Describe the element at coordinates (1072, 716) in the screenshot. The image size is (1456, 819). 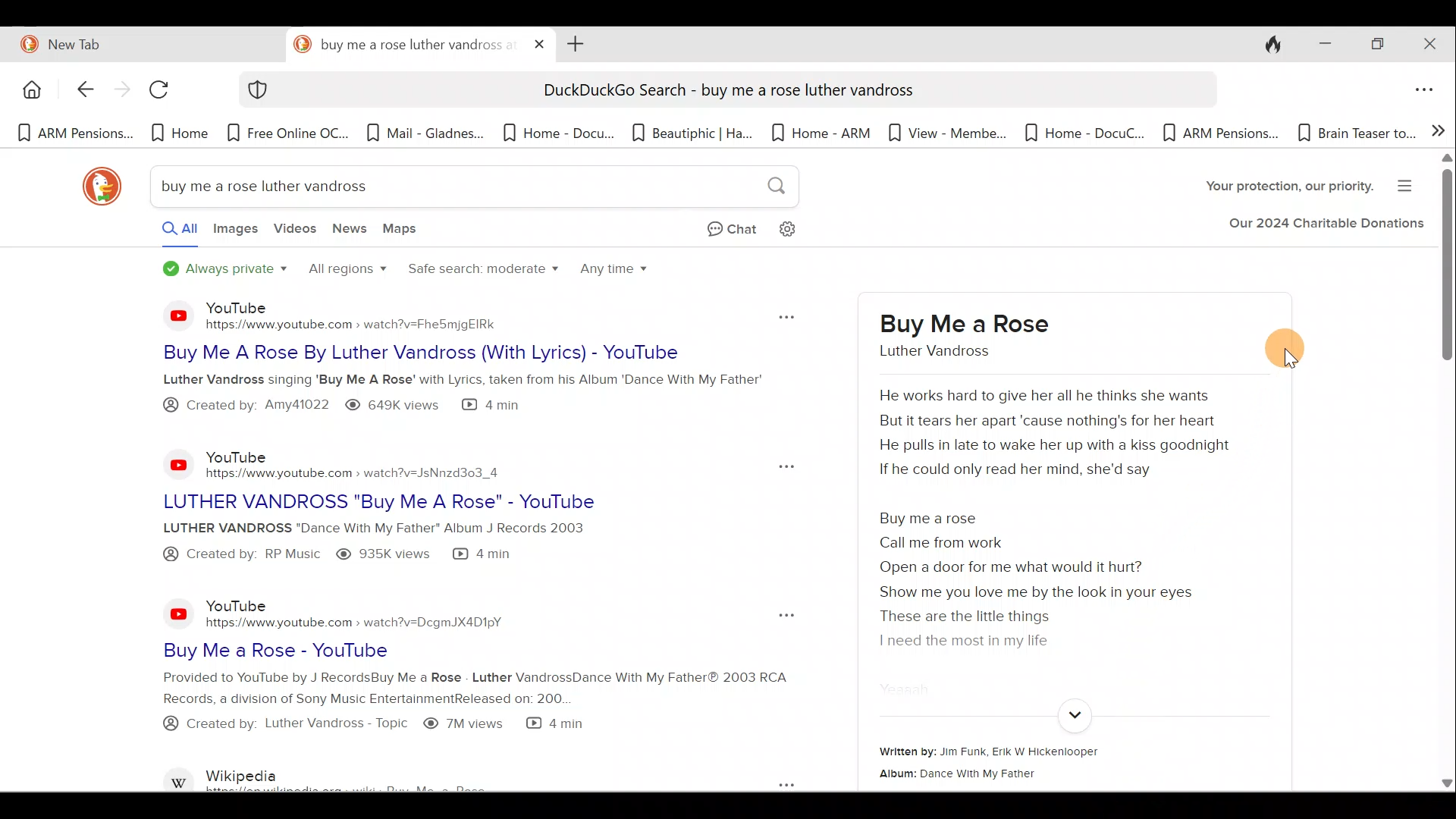
I see `Expand` at that location.